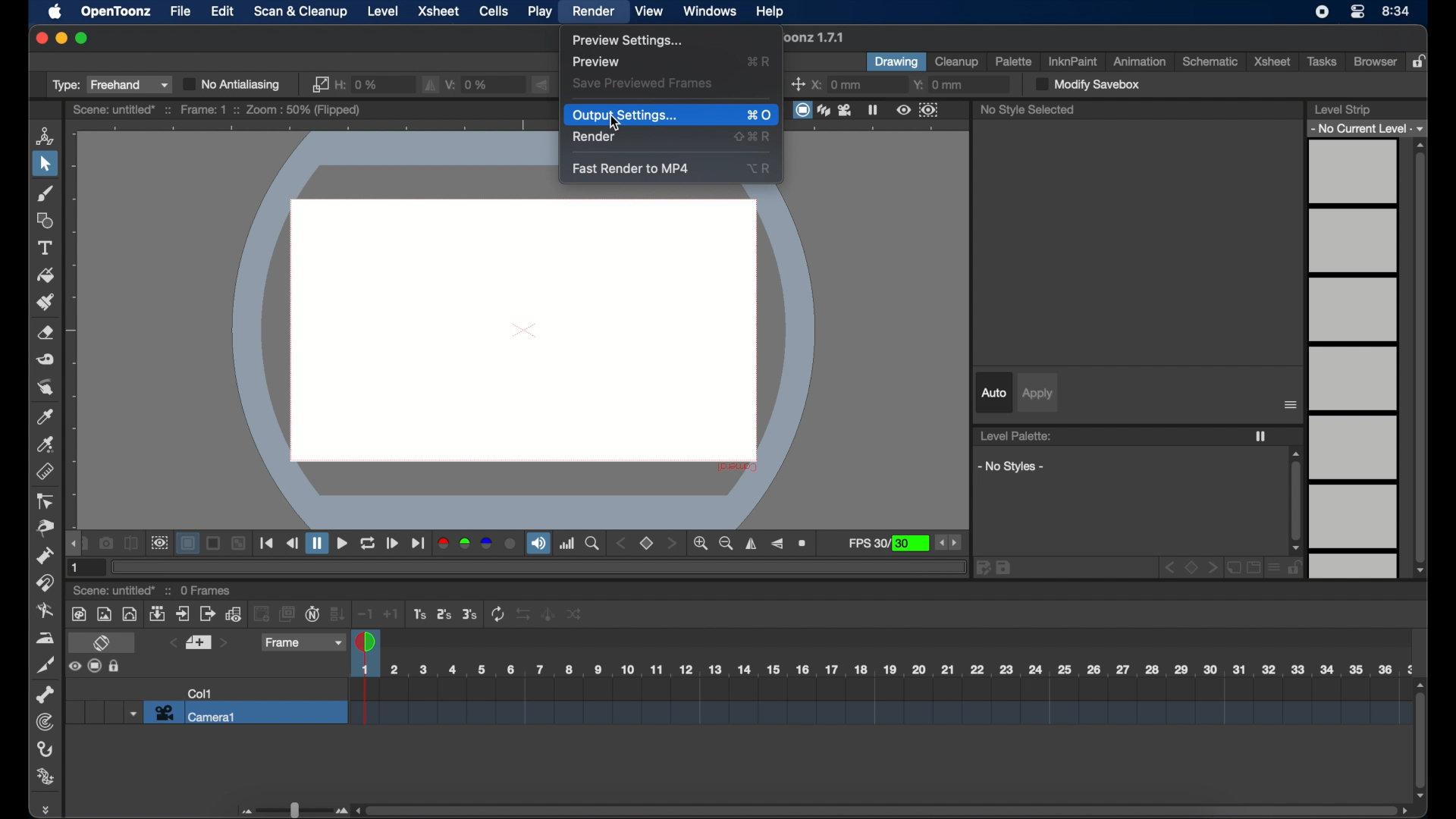  What do you see at coordinates (438, 11) in the screenshot?
I see `xsheet` at bounding box center [438, 11].